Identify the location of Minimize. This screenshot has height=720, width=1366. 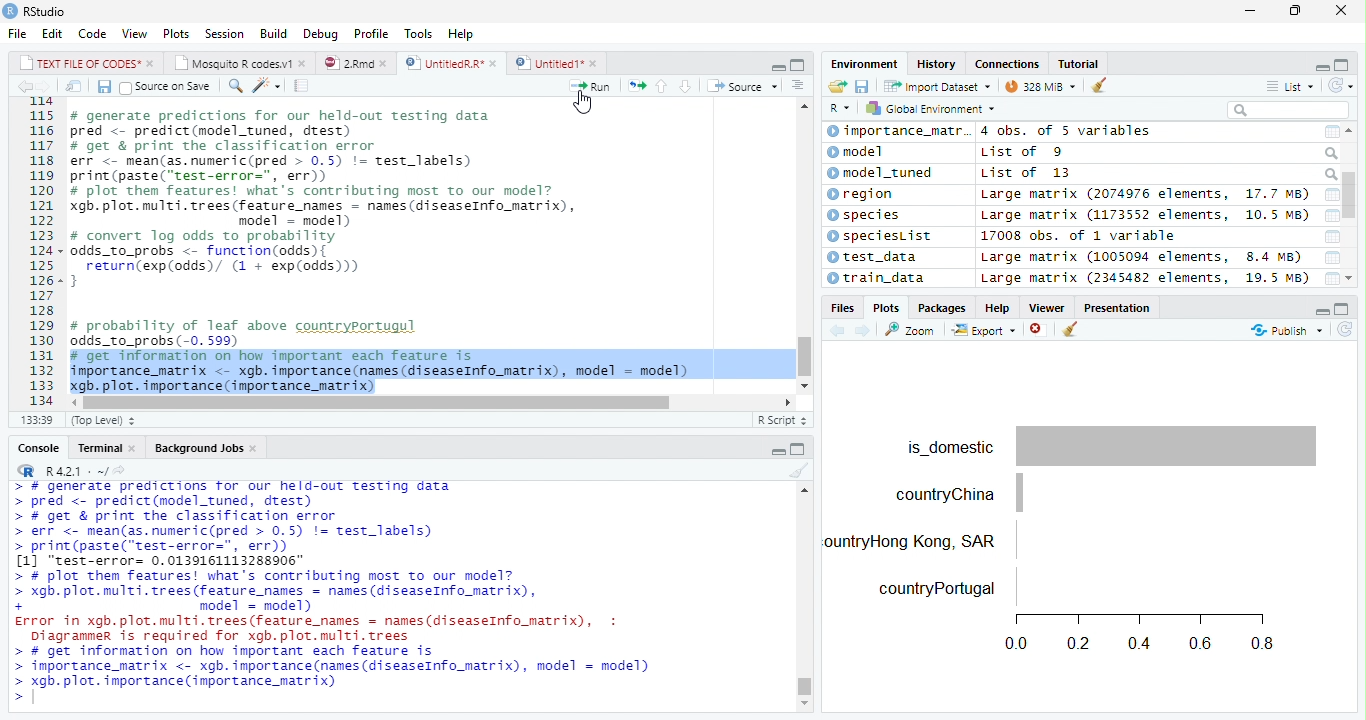
(1318, 65).